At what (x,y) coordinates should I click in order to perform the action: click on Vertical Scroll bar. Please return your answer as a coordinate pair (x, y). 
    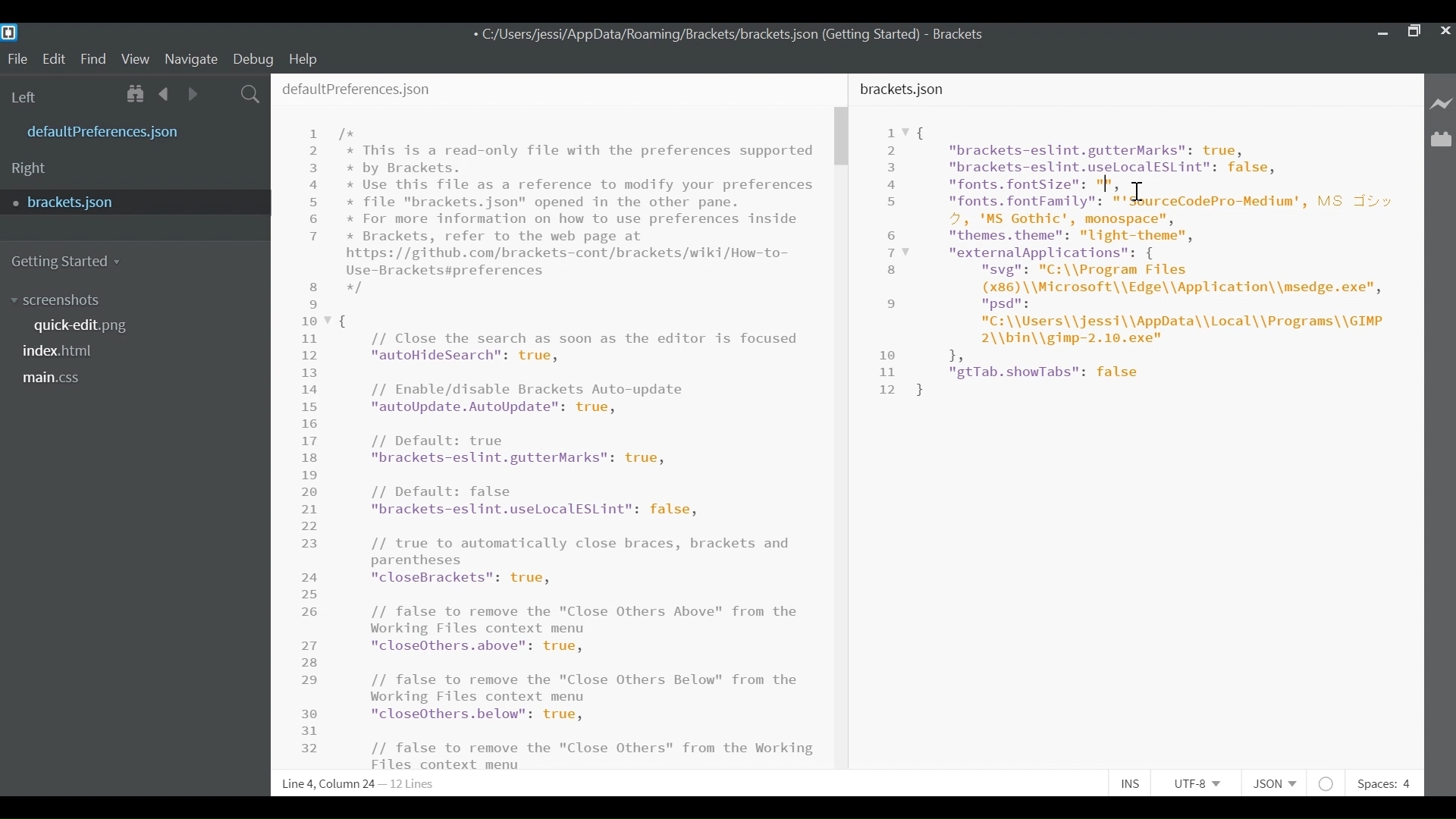
    Looking at the image, I should click on (843, 137).